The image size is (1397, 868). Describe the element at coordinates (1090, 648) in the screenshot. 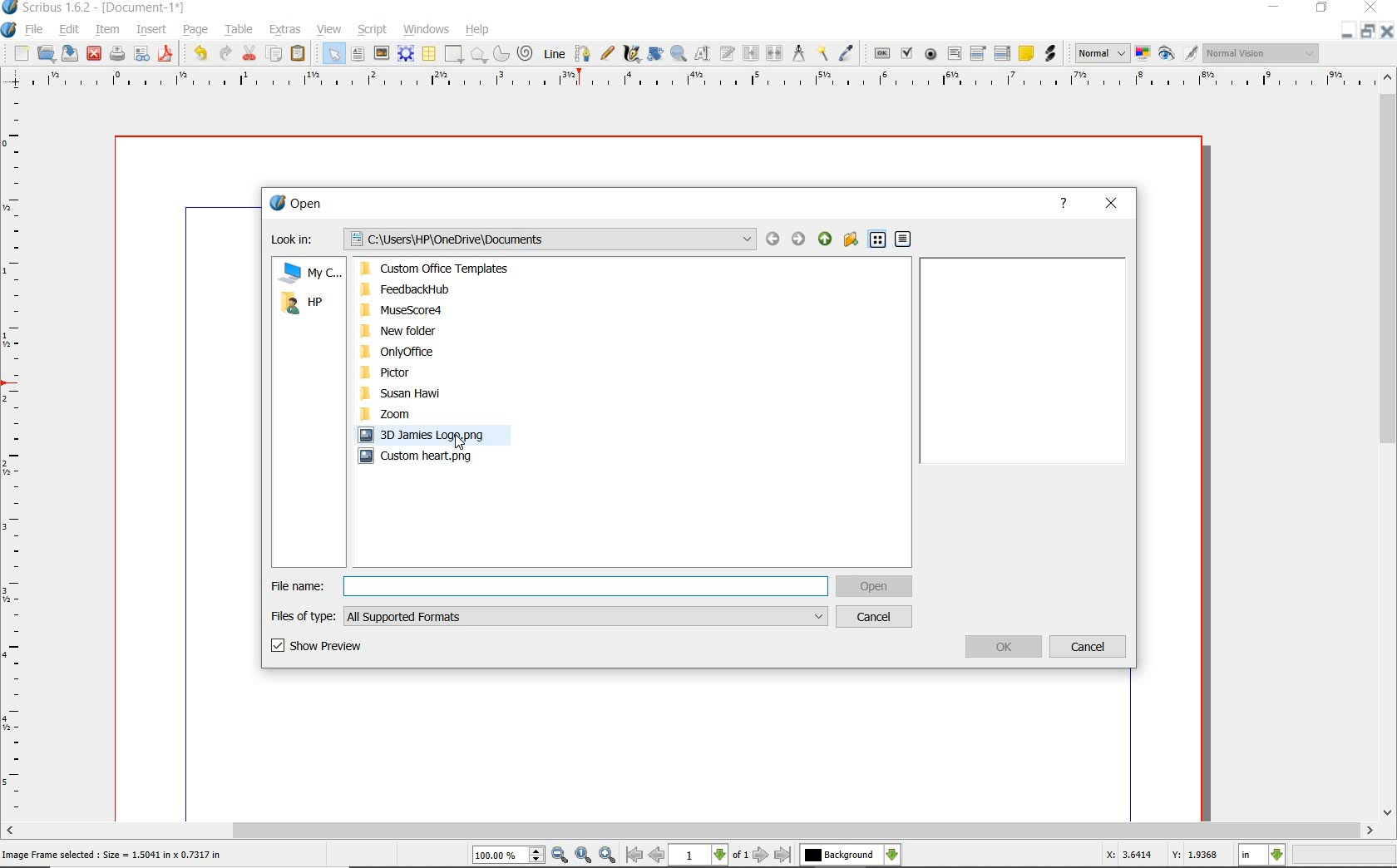

I see `cancel` at that location.